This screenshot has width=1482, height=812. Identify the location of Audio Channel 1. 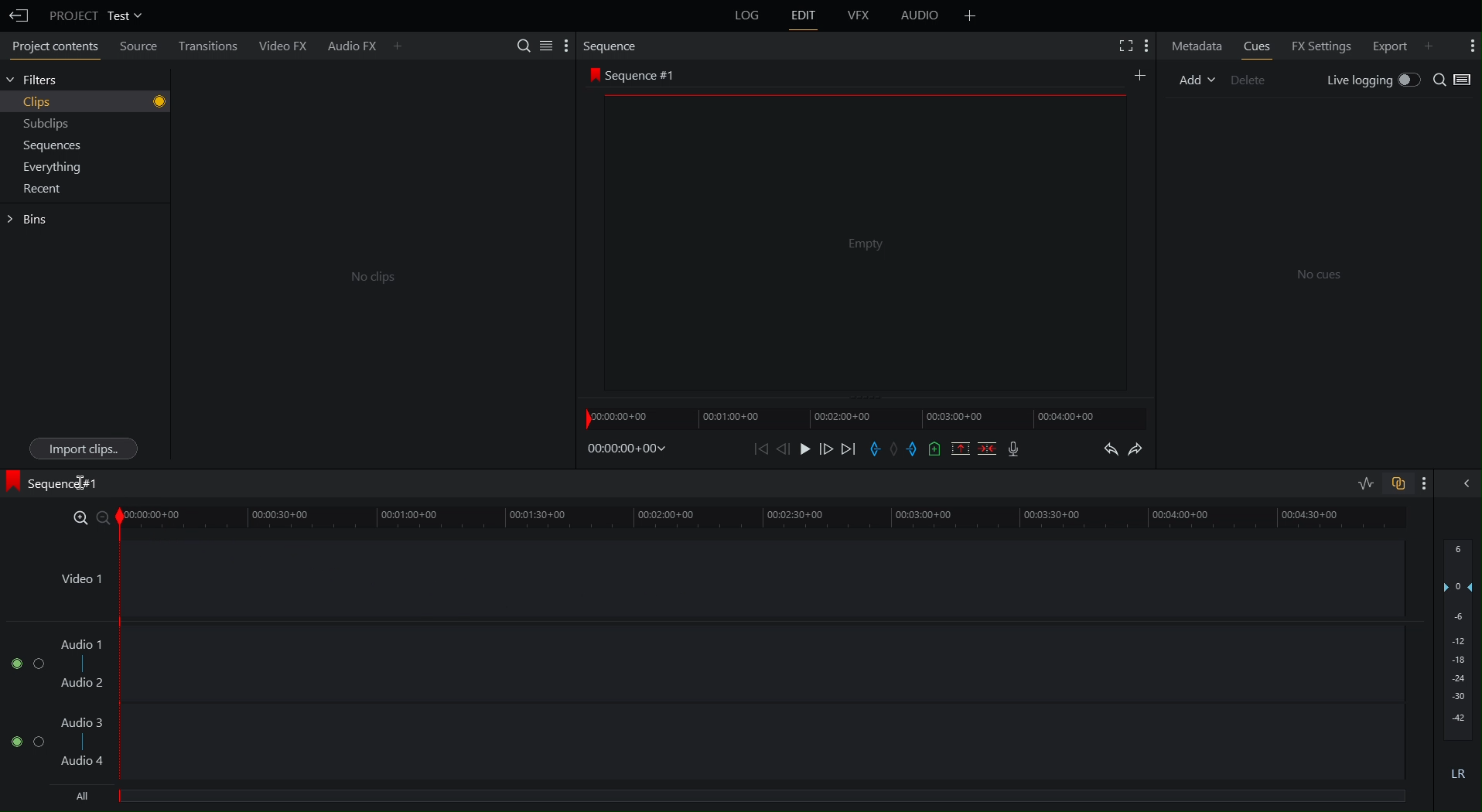
(26, 661).